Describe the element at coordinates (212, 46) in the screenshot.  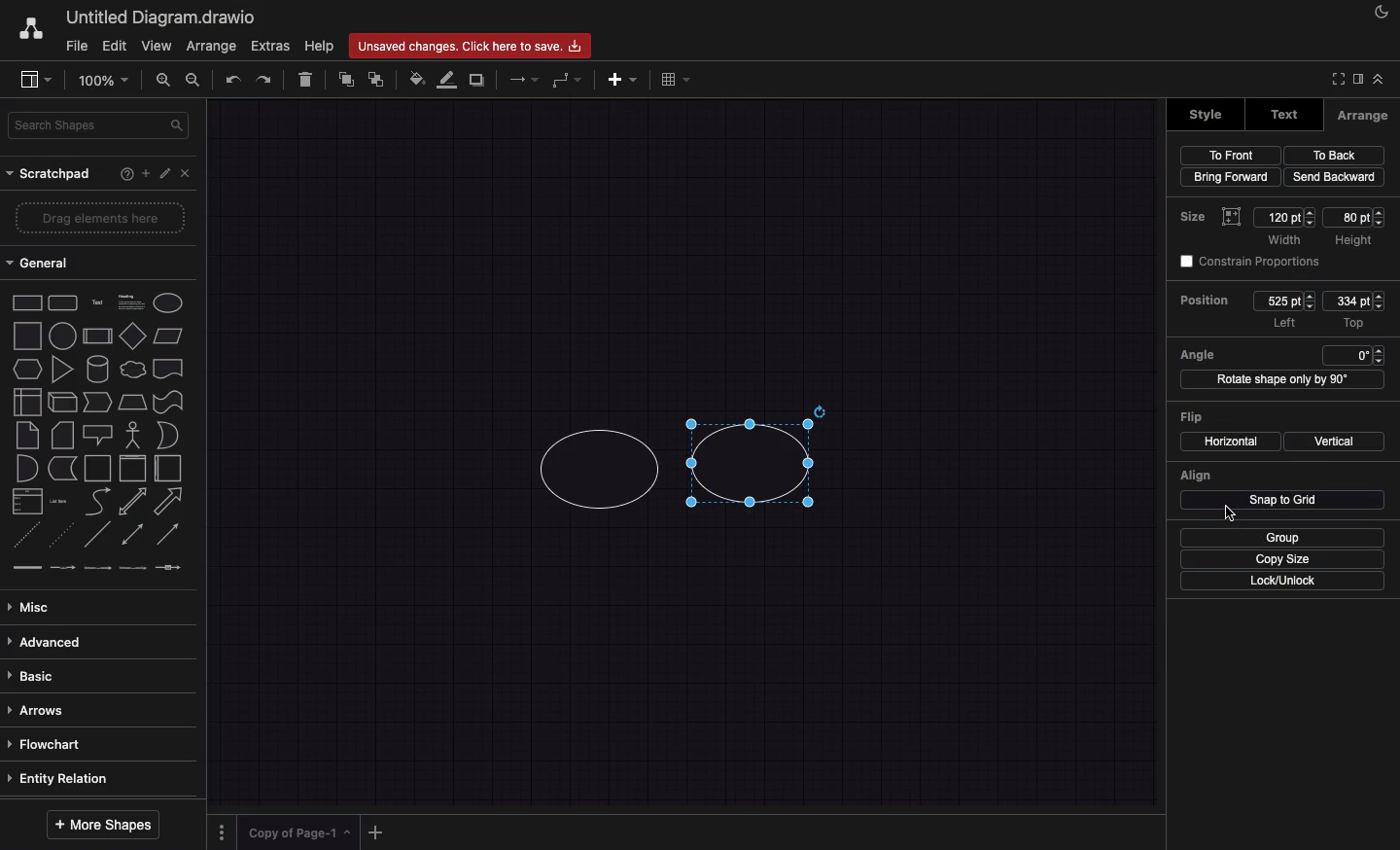
I see `arrange` at that location.